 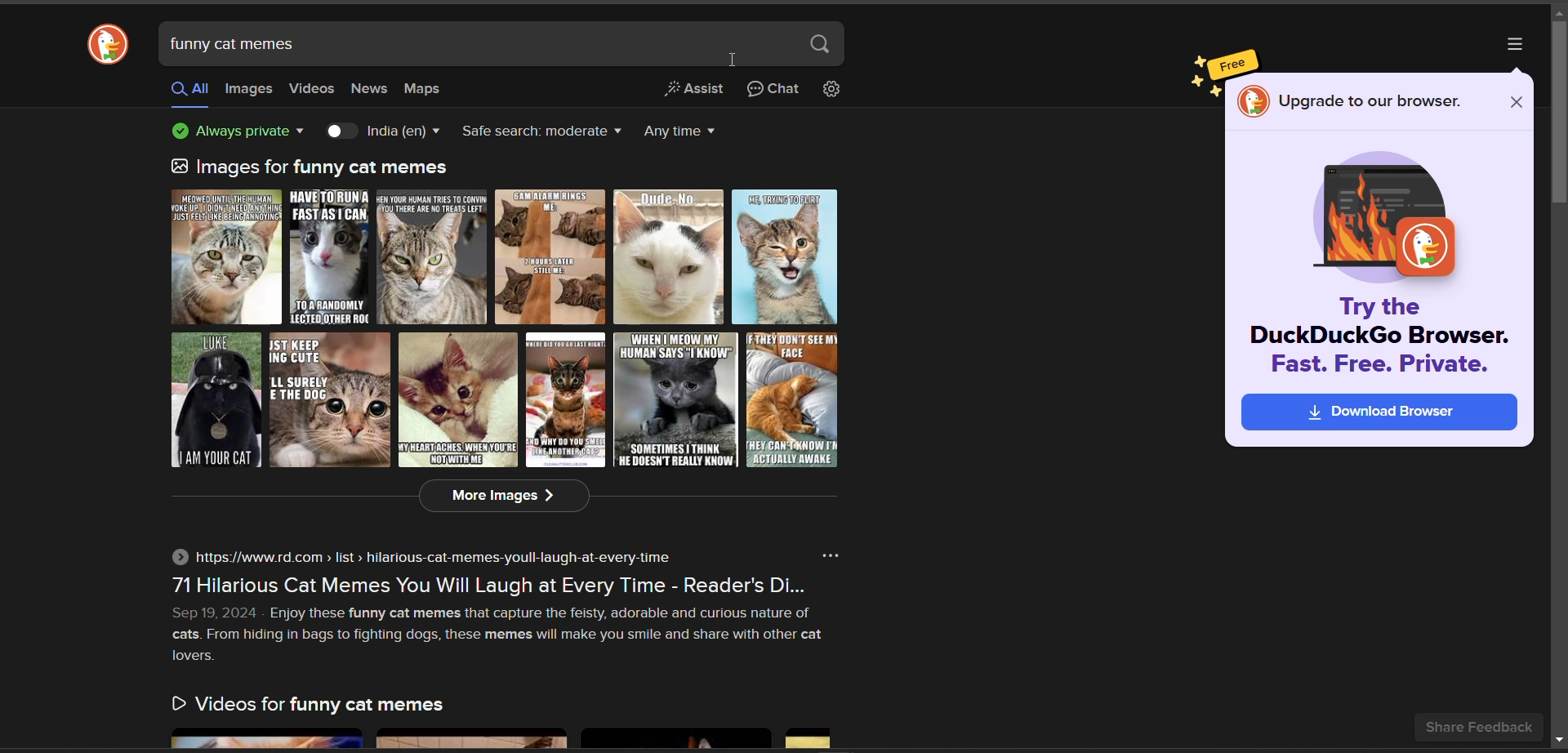 What do you see at coordinates (372, 89) in the screenshot?
I see `news` at bounding box center [372, 89].